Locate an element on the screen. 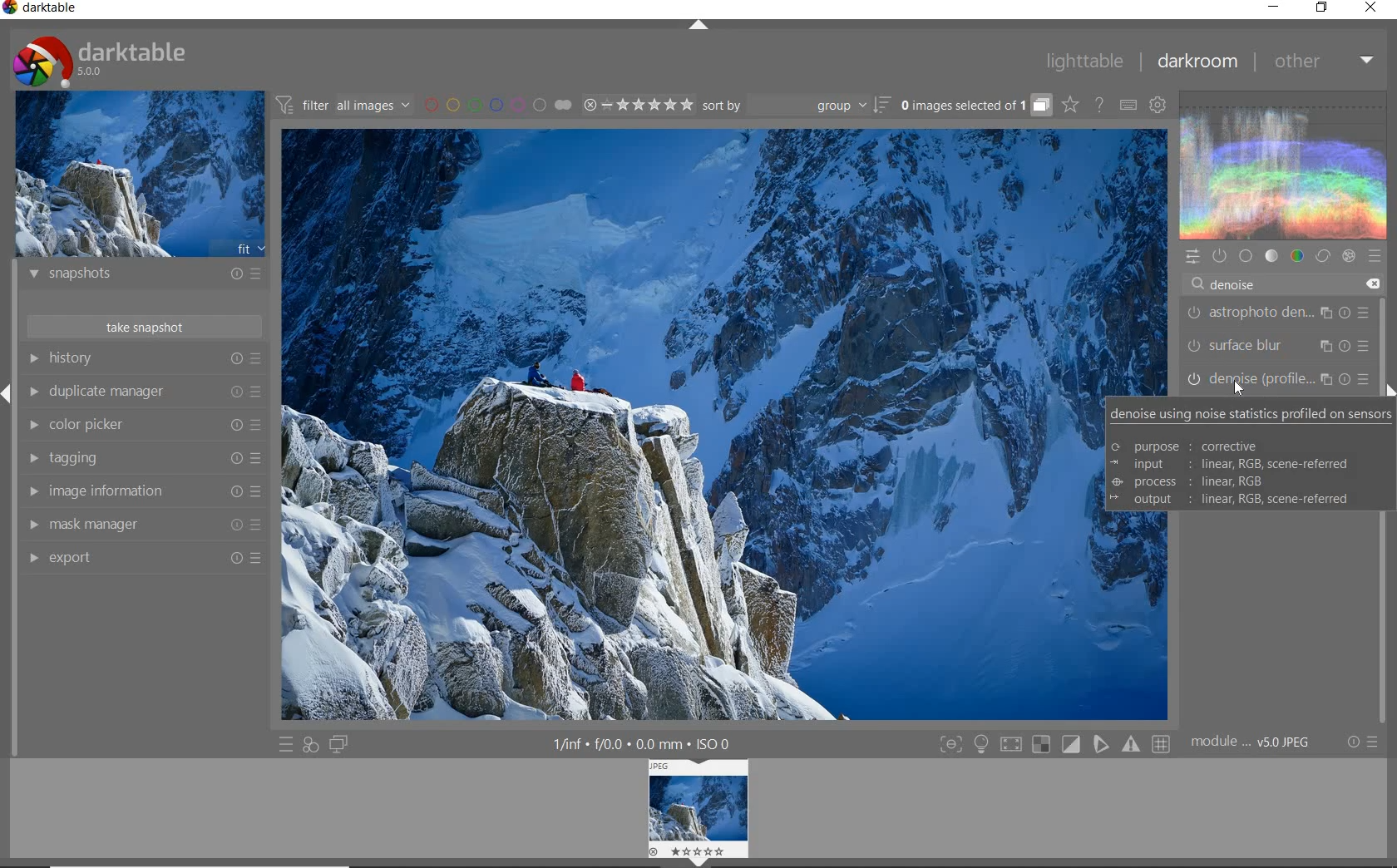  restore is located at coordinates (1324, 9).